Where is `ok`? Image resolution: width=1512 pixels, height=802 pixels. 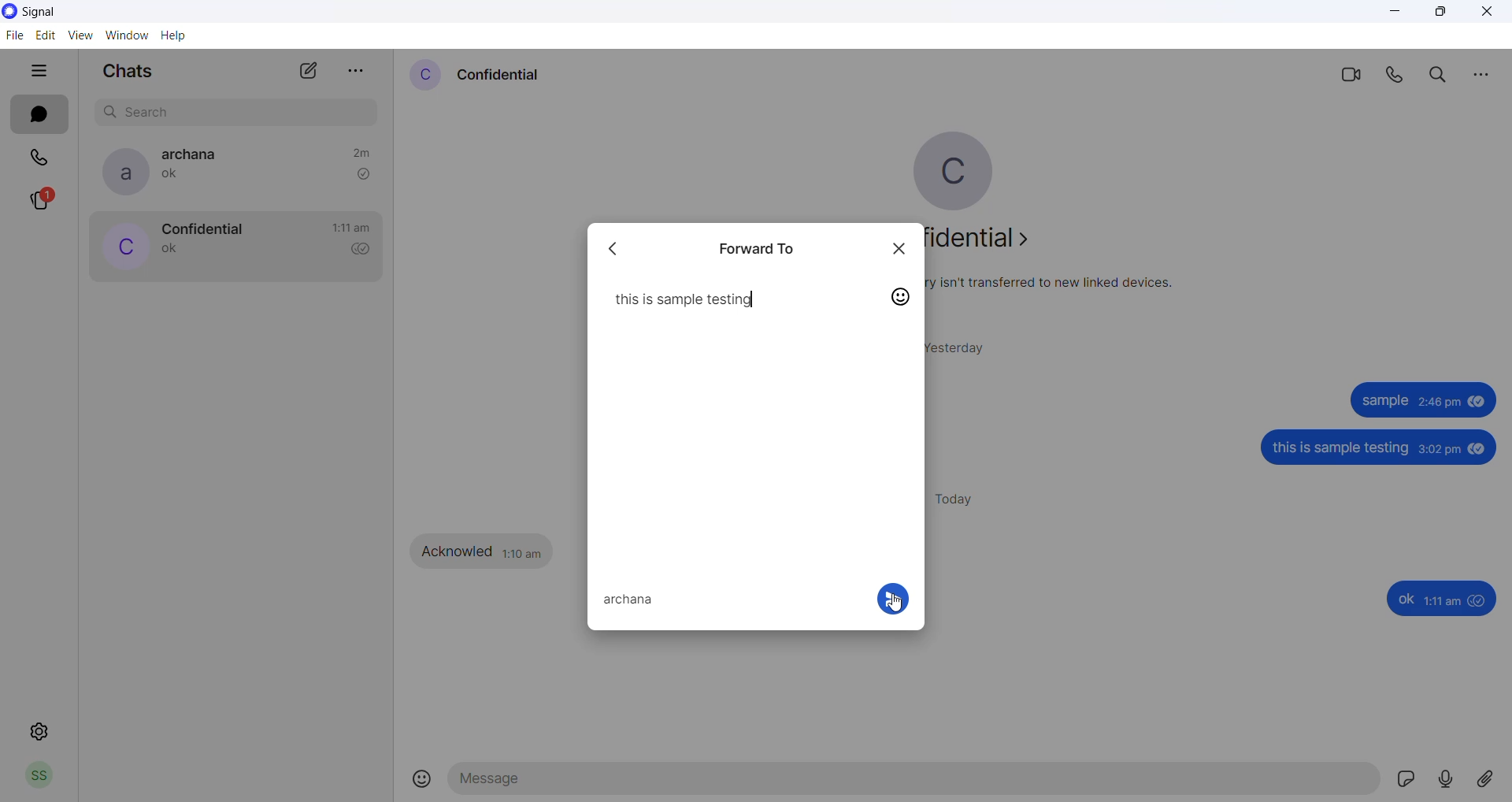 ok is located at coordinates (1405, 600).